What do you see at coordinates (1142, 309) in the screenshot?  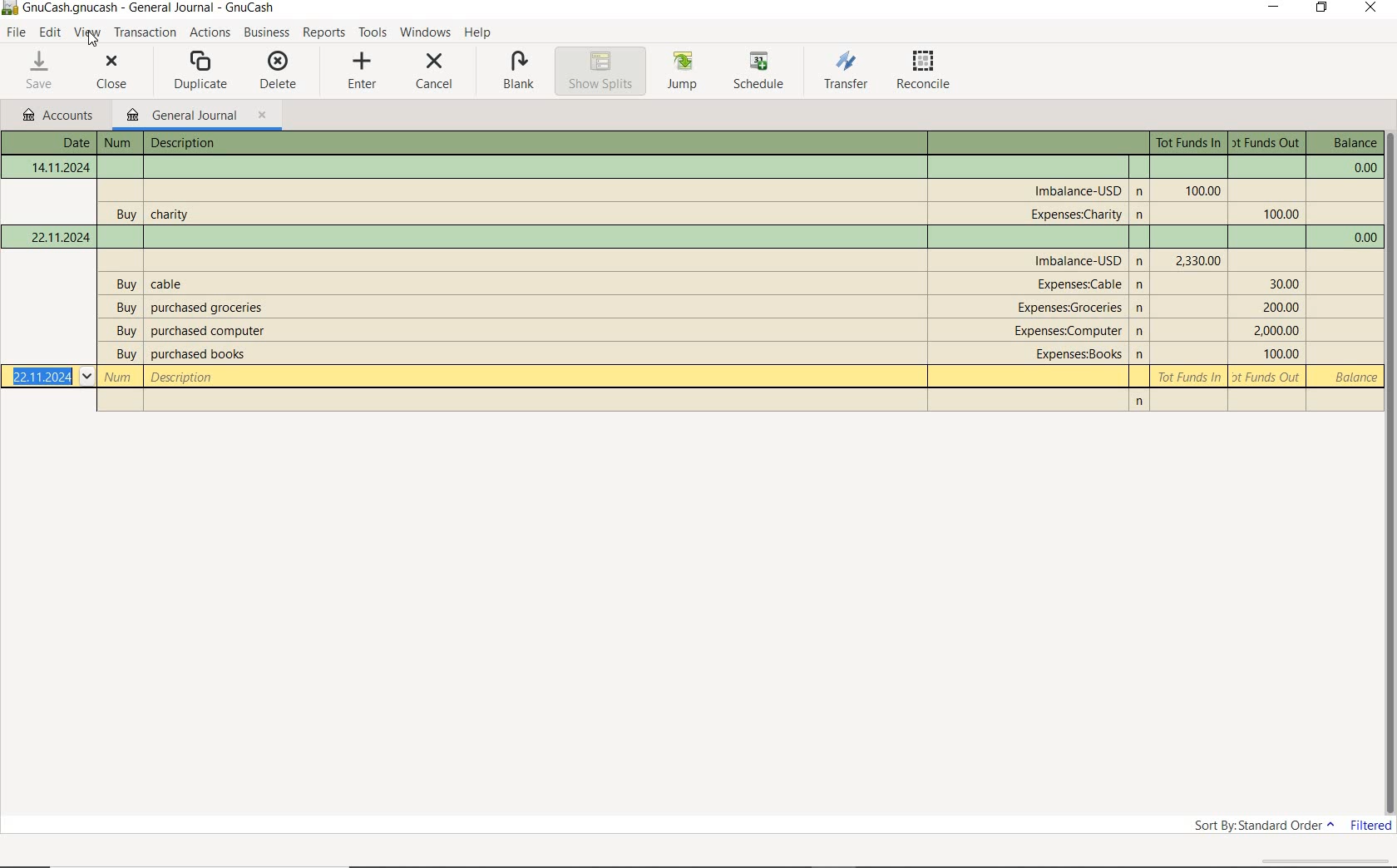 I see `n` at bounding box center [1142, 309].